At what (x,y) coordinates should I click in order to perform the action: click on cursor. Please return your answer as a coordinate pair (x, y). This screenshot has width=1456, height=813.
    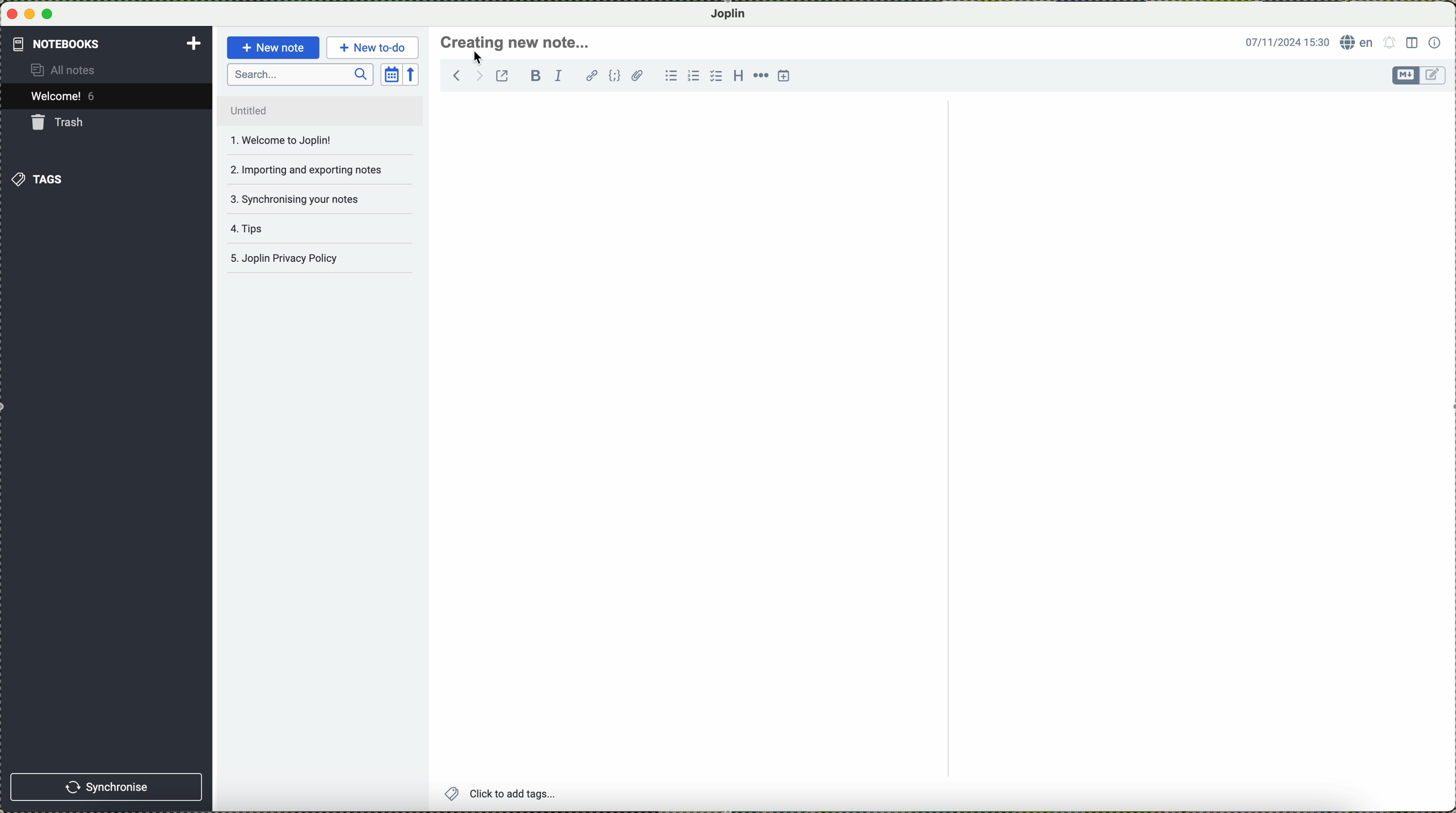
    Looking at the image, I should click on (482, 58).